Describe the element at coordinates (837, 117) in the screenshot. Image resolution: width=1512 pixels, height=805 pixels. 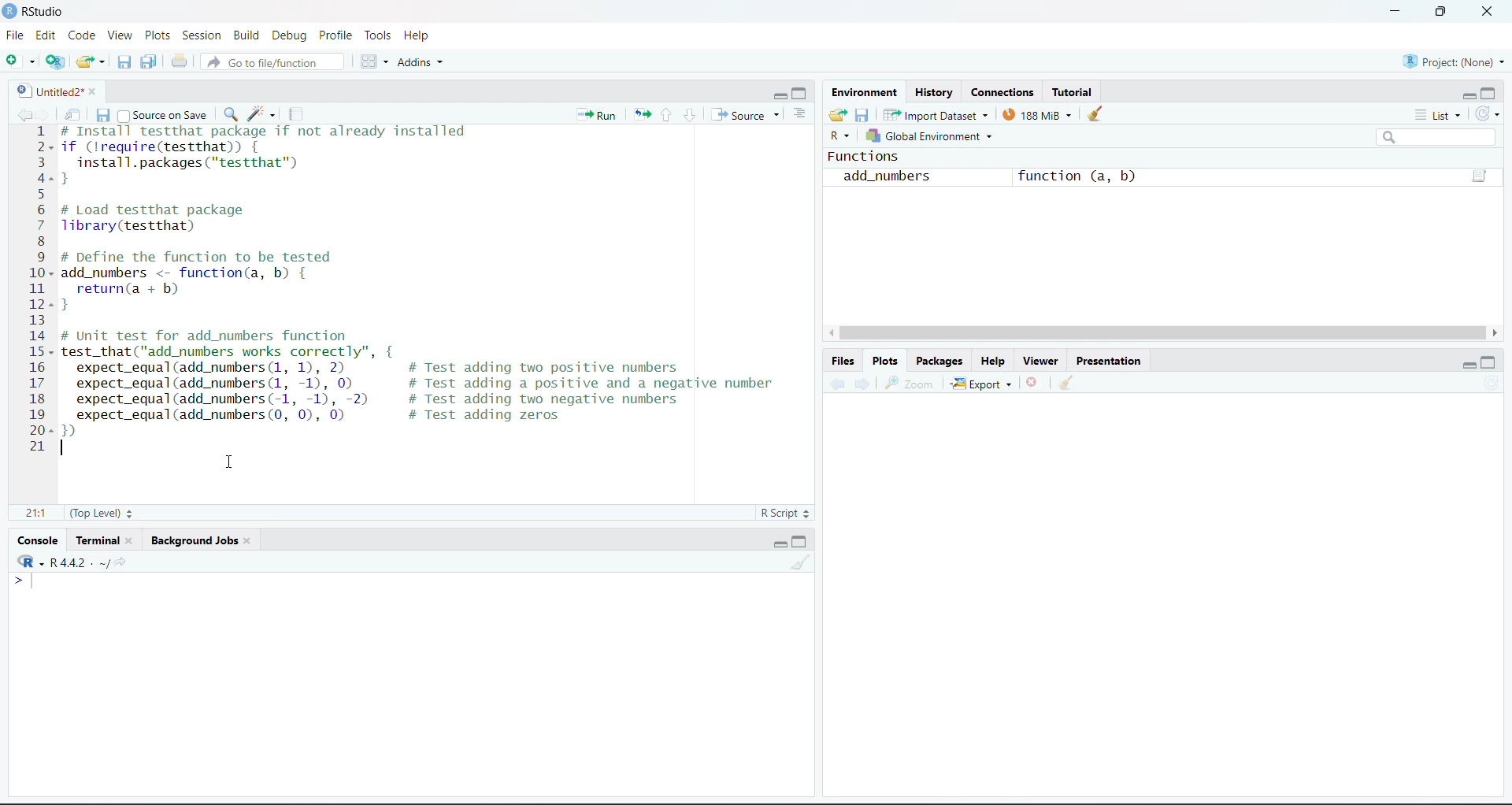
I see `Load workspace` at that location.